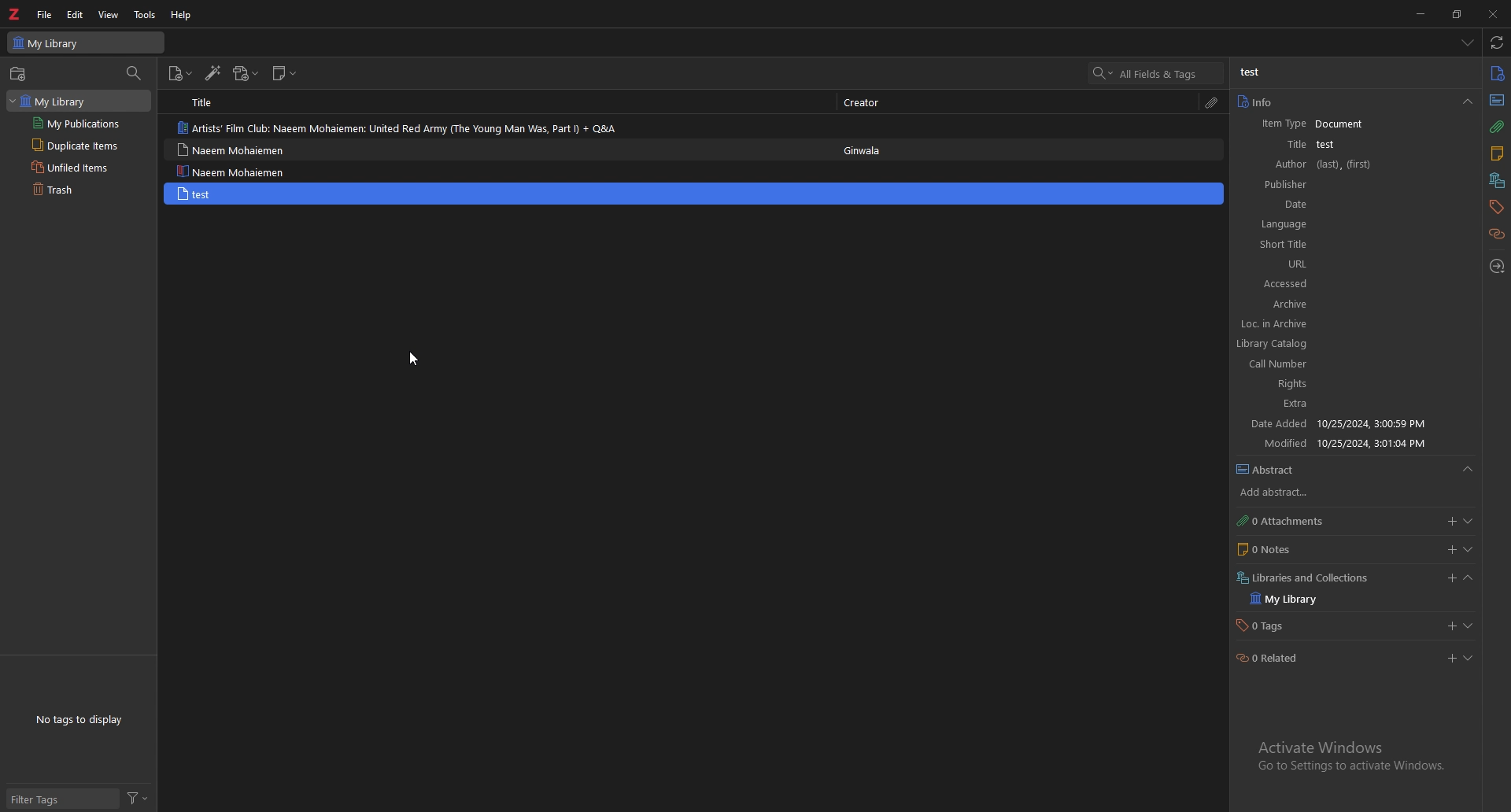 The width and height of the screenshot is (1511, 812). Describe the element at coordinates (73, 146) in the screenshot. I see `duplicate items` at that location.